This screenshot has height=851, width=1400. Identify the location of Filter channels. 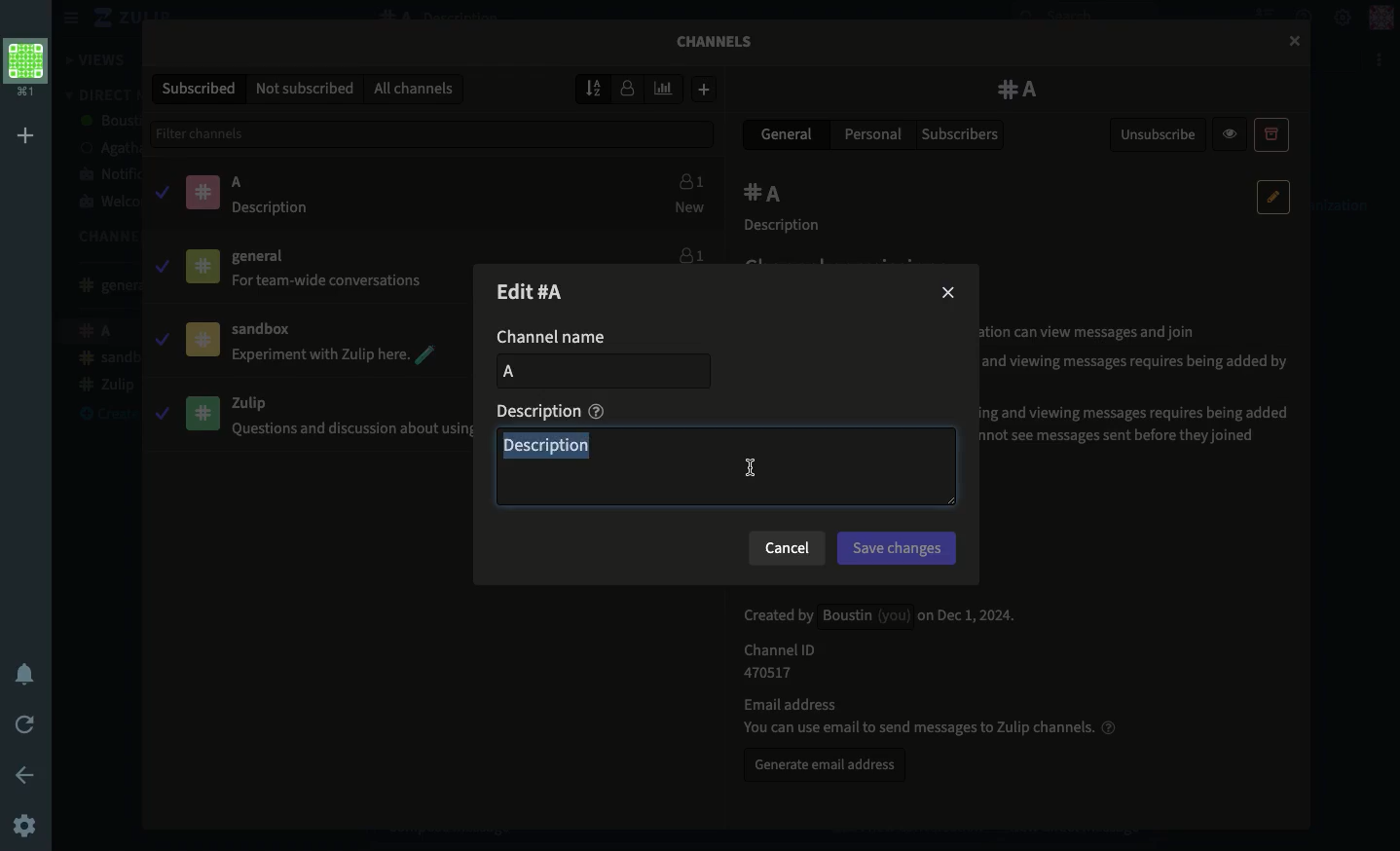
(436, 133).